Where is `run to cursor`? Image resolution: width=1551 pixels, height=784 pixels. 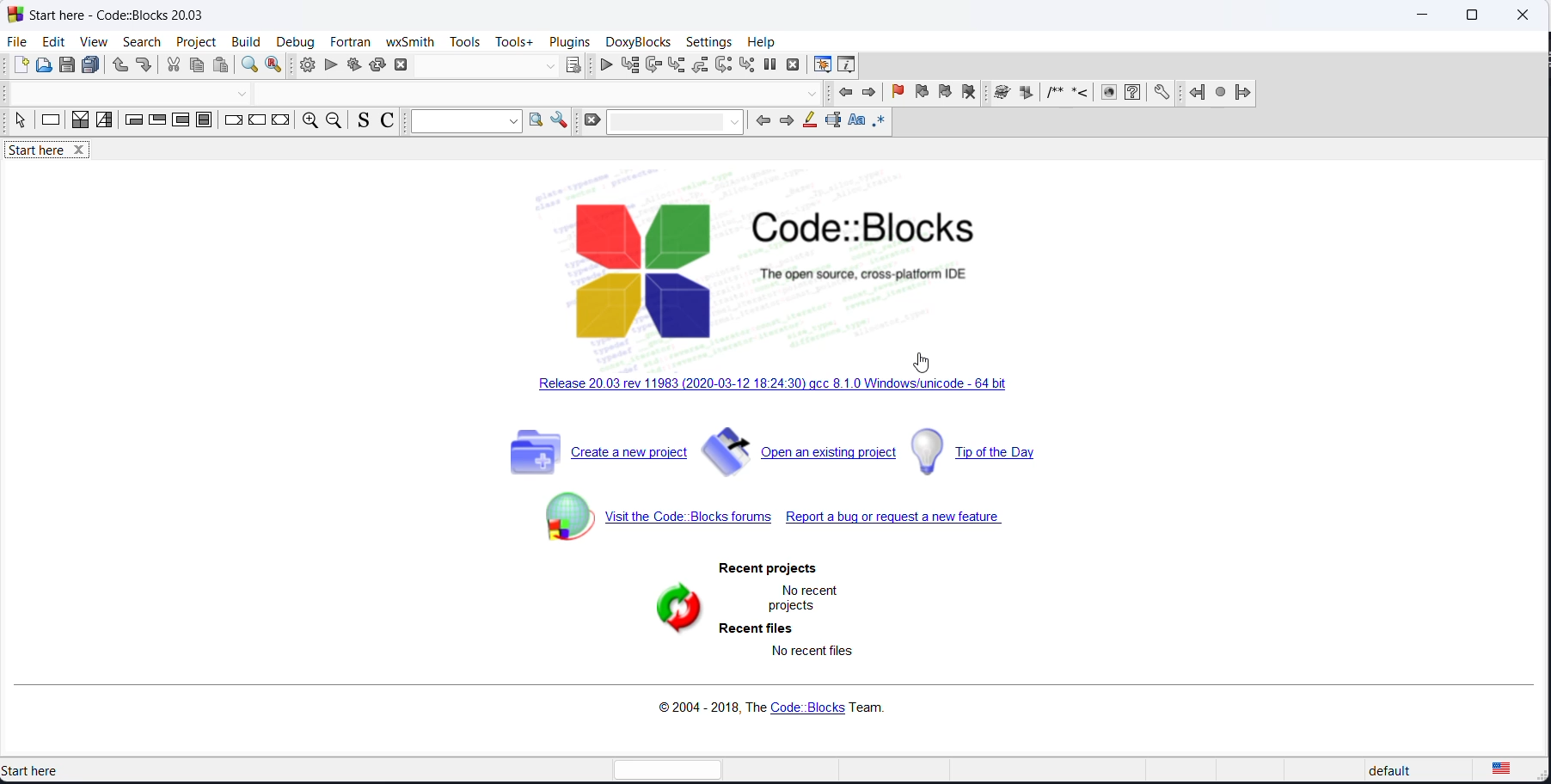 run to cursor is located at coordinates (633, 65).